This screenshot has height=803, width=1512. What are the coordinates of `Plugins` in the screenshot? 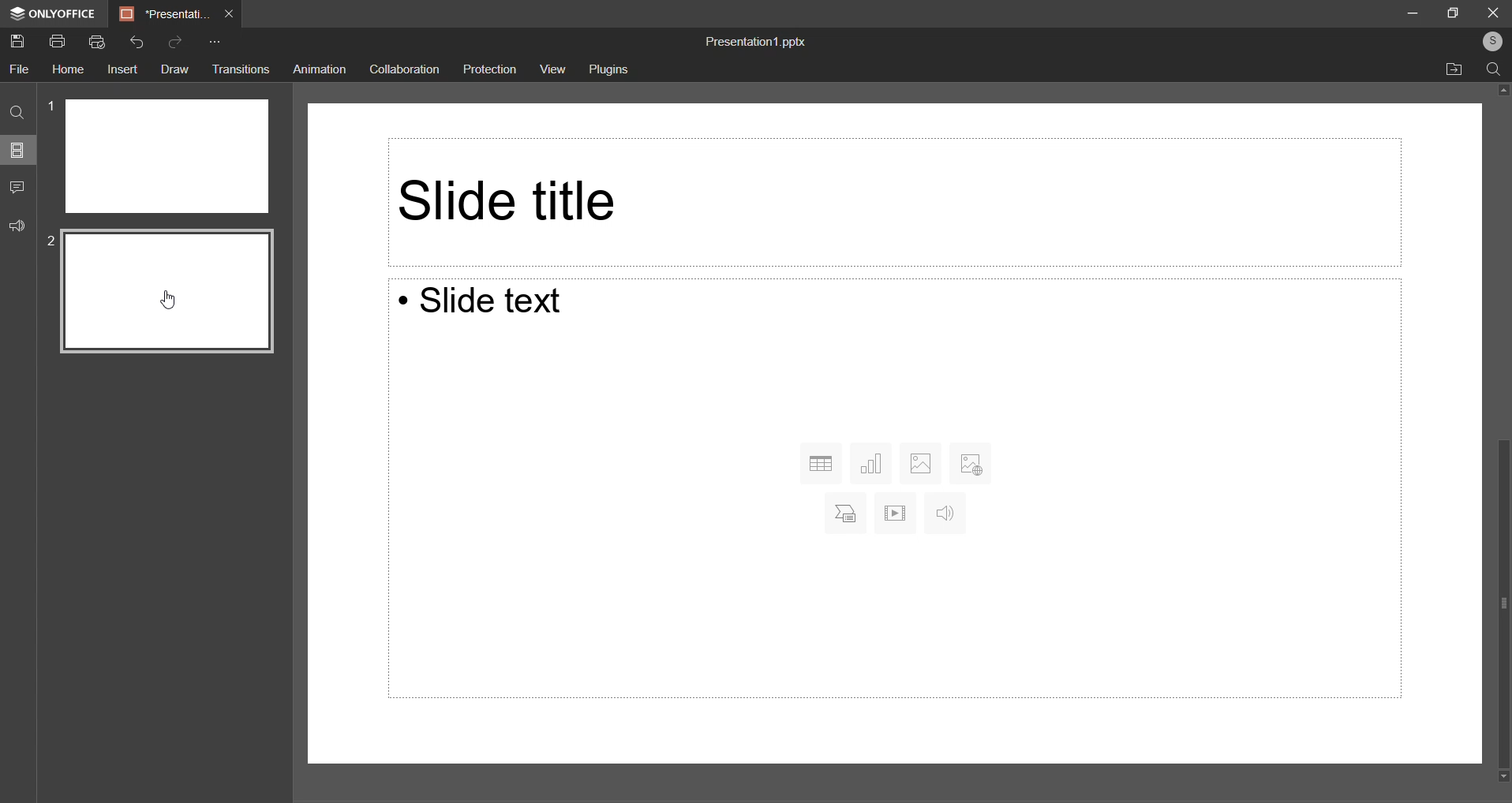 It's located at (612, 72).